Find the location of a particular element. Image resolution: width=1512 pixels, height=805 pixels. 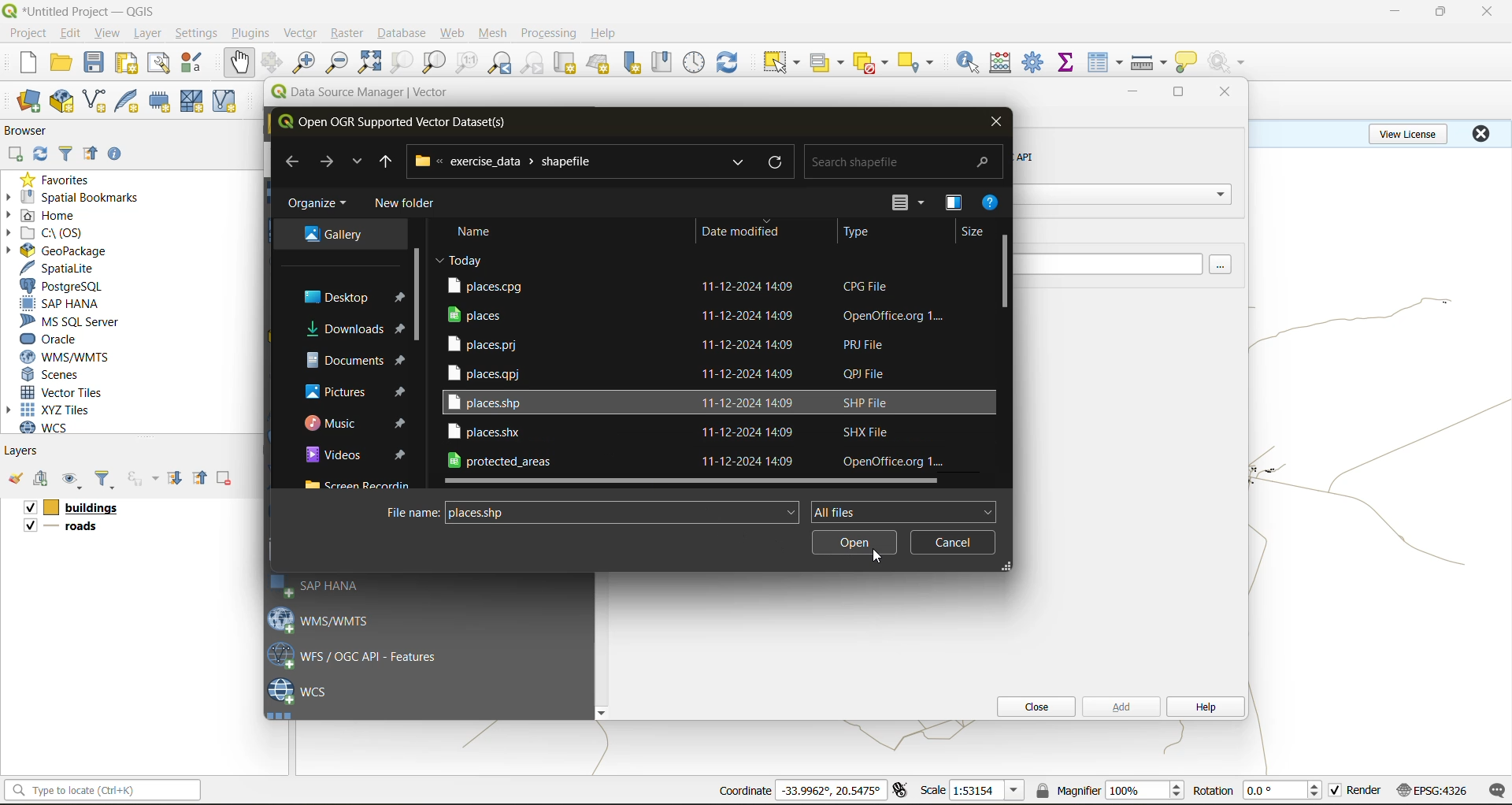

close is located at coordinates (1031, 707).